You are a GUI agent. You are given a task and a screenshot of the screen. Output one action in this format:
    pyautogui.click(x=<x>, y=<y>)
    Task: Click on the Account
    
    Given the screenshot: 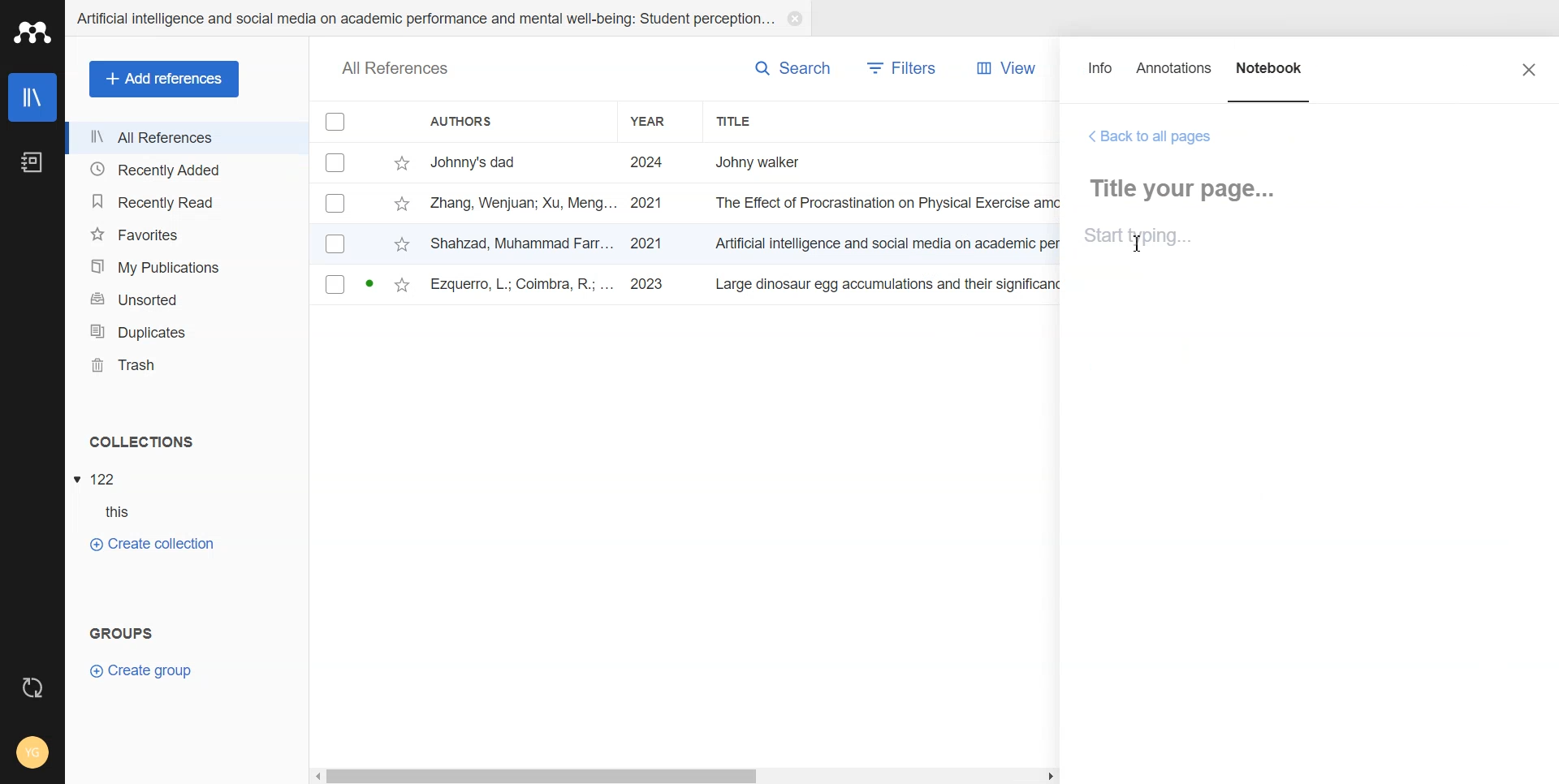 What is the action you would take?
    pyautogui.click(x=32, y=754)
    